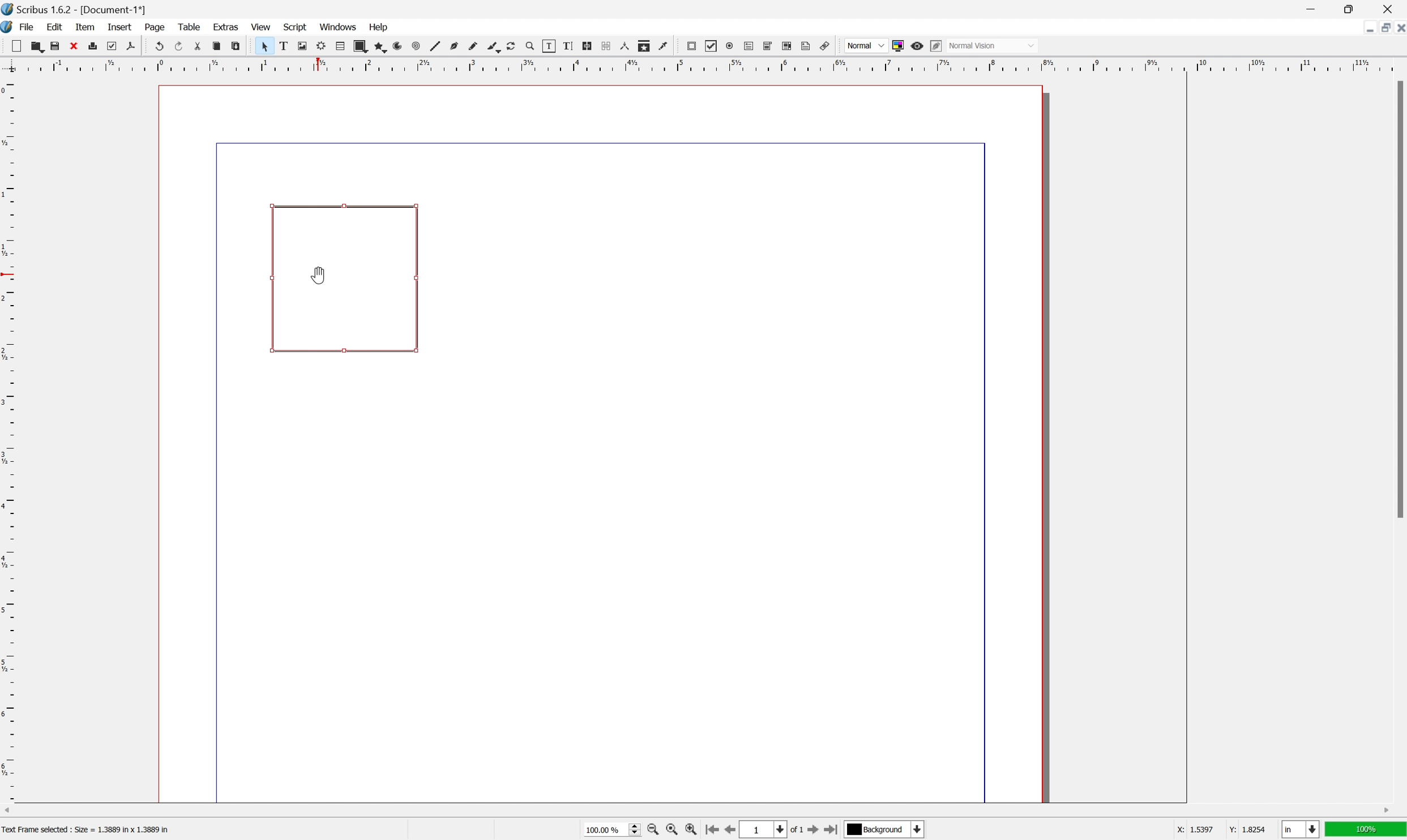 This screenshot has width=1407, height=840. Describe the element at coordinates (112, 45) in the screenshot. I see `preflight verifier` at that location.